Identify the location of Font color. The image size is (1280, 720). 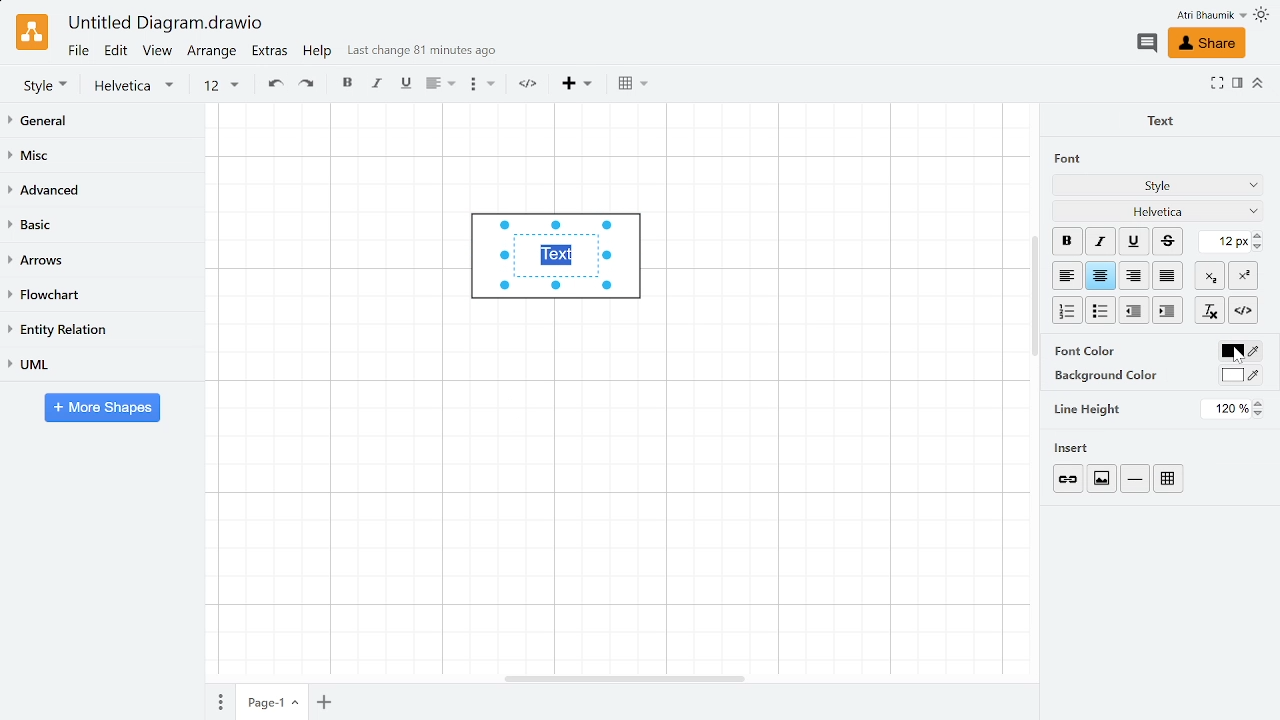
(1239, 352).